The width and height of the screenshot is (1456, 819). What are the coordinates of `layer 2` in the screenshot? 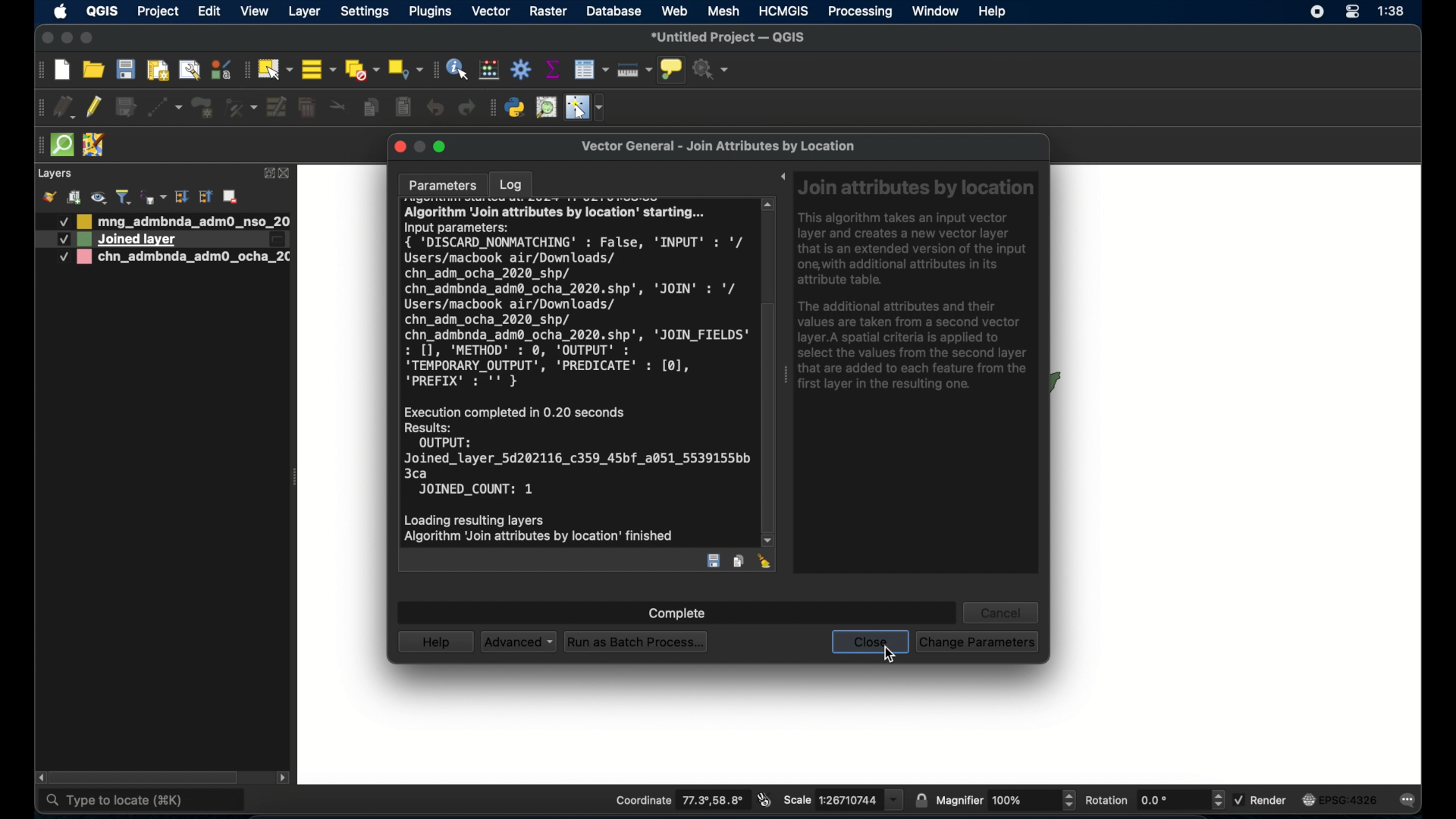 It's located at (181, 258).